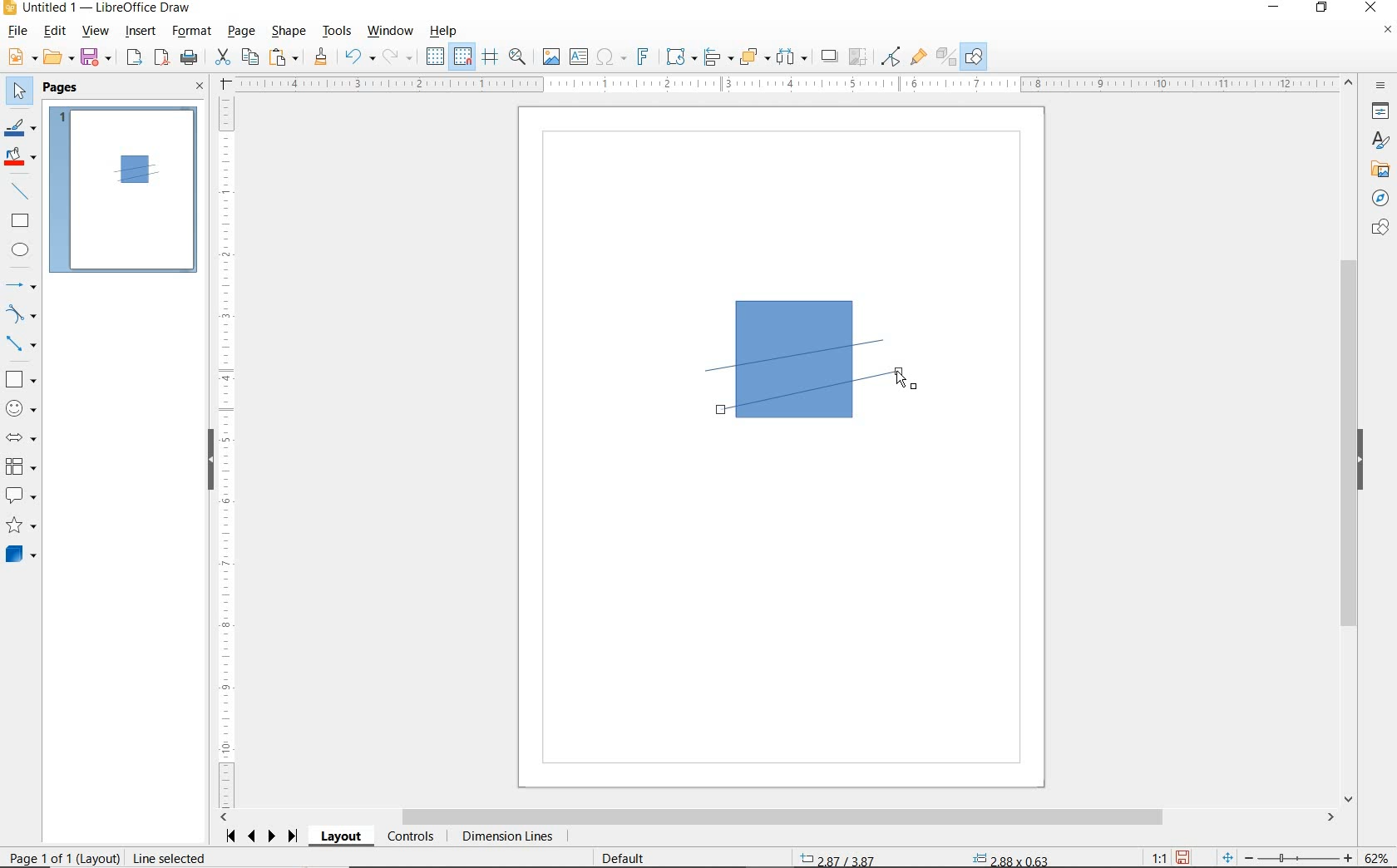  I want to click on CONNECTORS, so click(21, 345).